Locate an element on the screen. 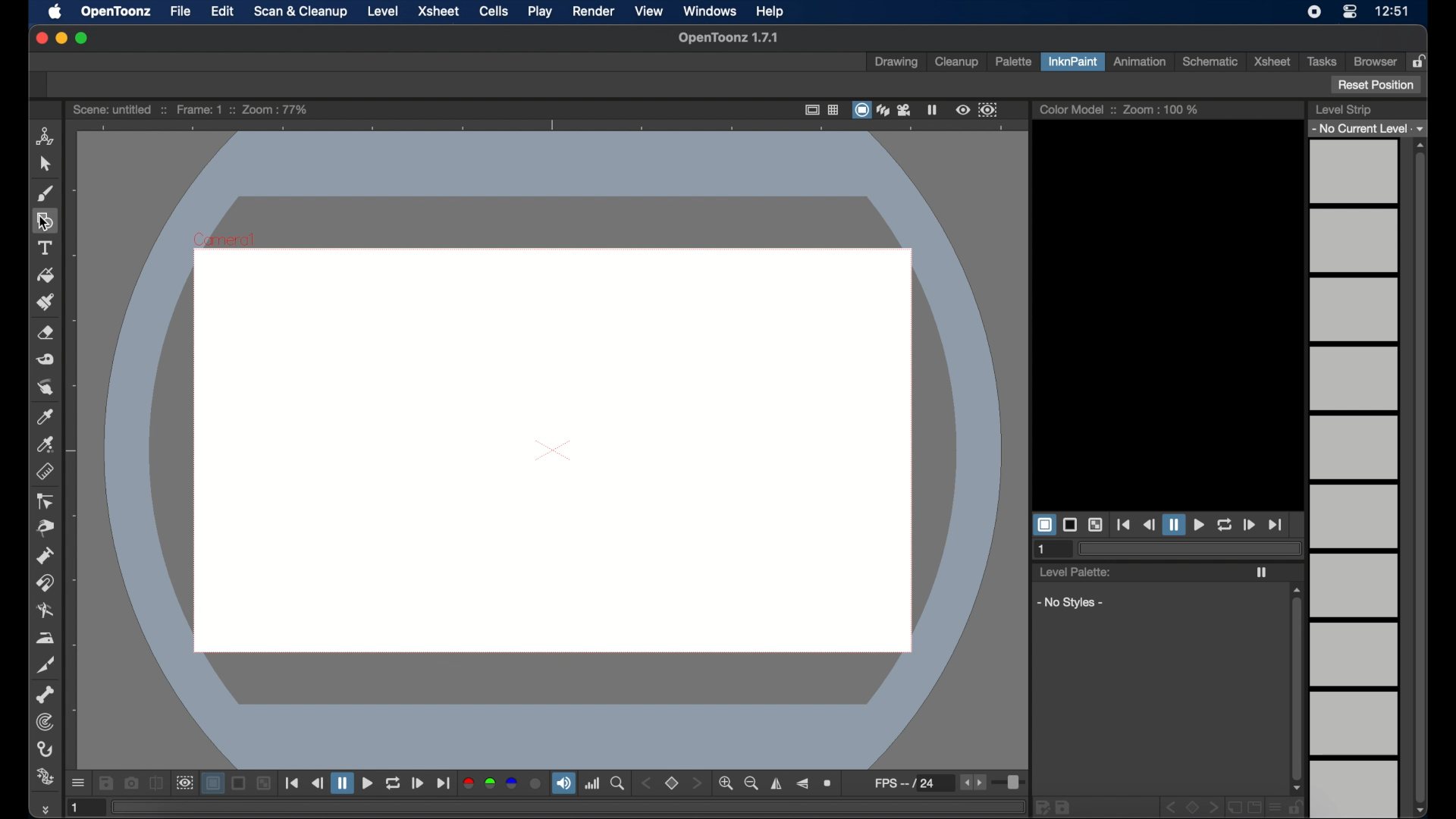 The height and width of the screenshot is (819, 1456). pinch tool is located at coordinates (45, 528).